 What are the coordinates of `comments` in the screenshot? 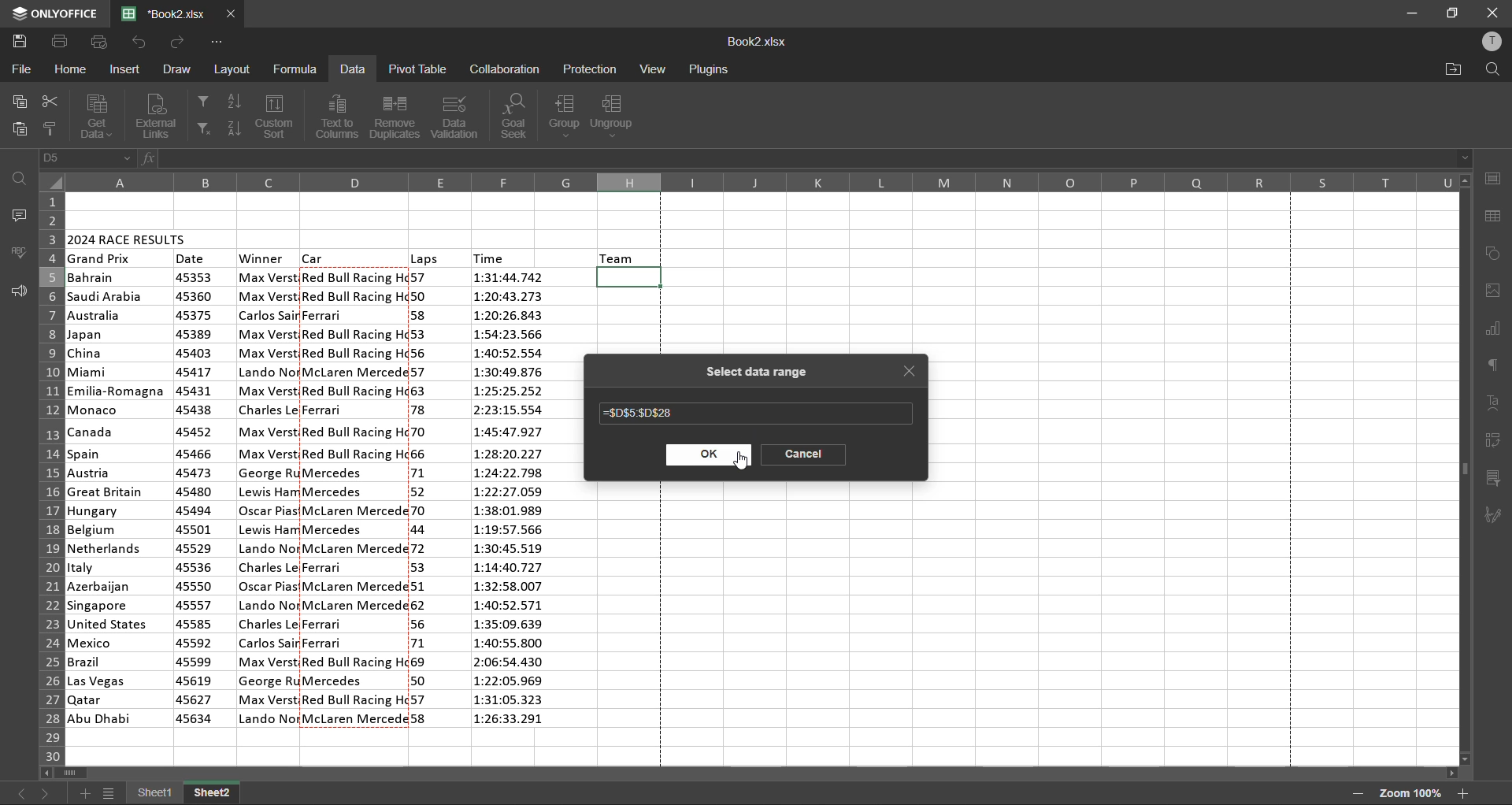 It's located at (16, 215).